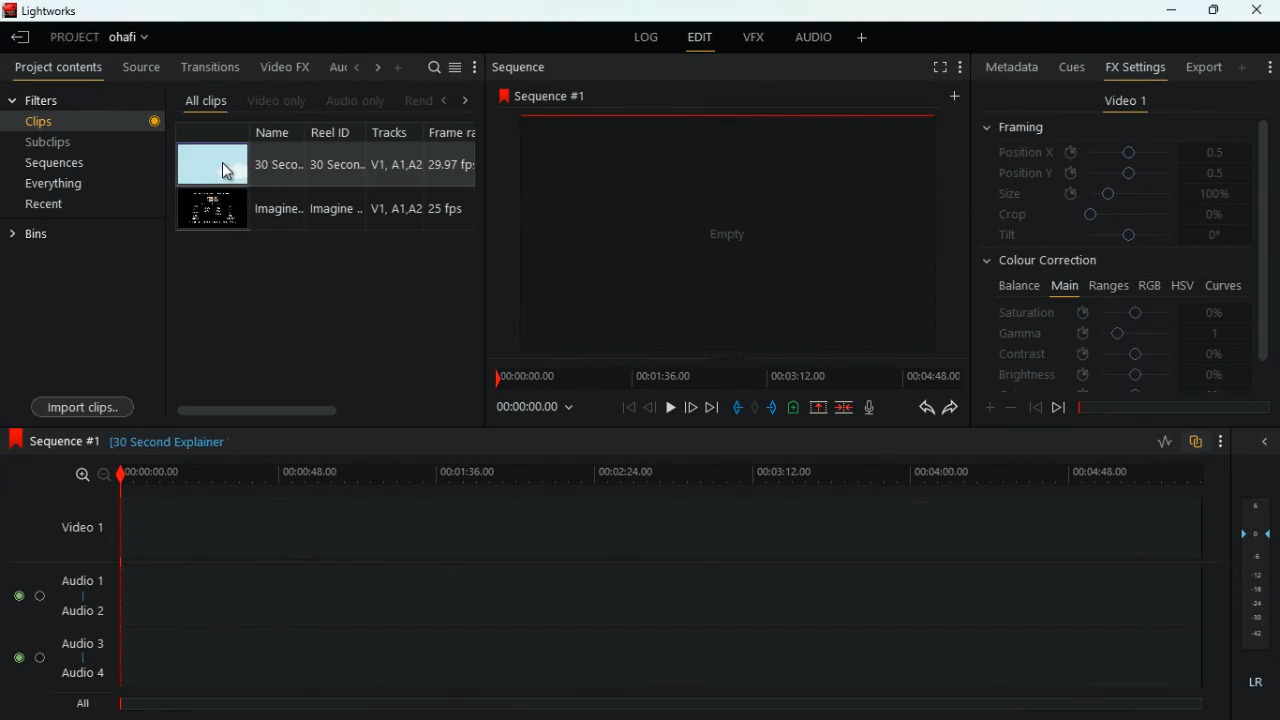 This screenshot has height=720, width=1280. What do you see at coordinates (1196, 443) in the screenshot?
I see `overlap` at bounding box center [1196, 443].